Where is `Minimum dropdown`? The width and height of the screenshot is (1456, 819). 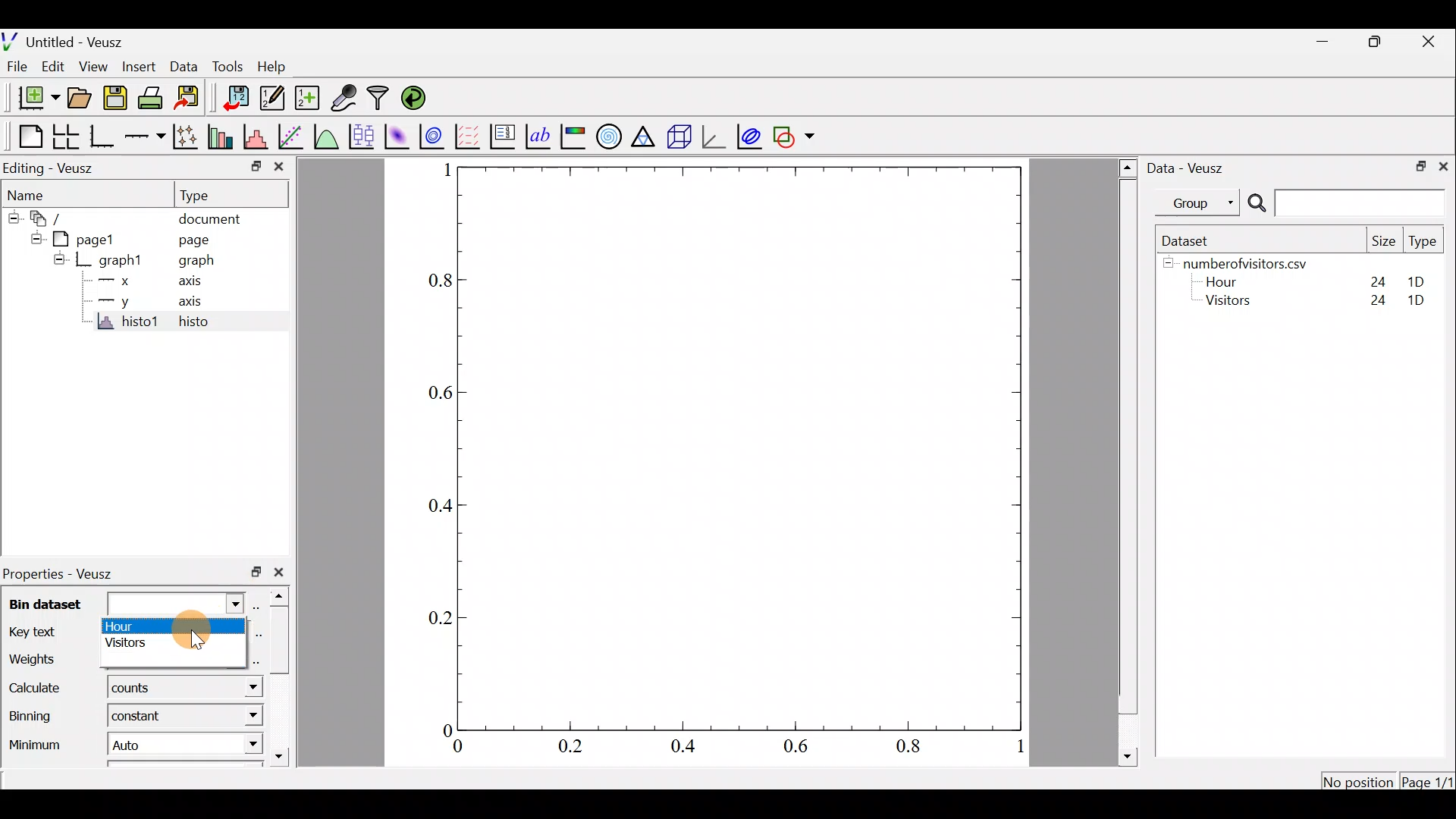
Minimum dropdown is located at coordinates (231, 745).